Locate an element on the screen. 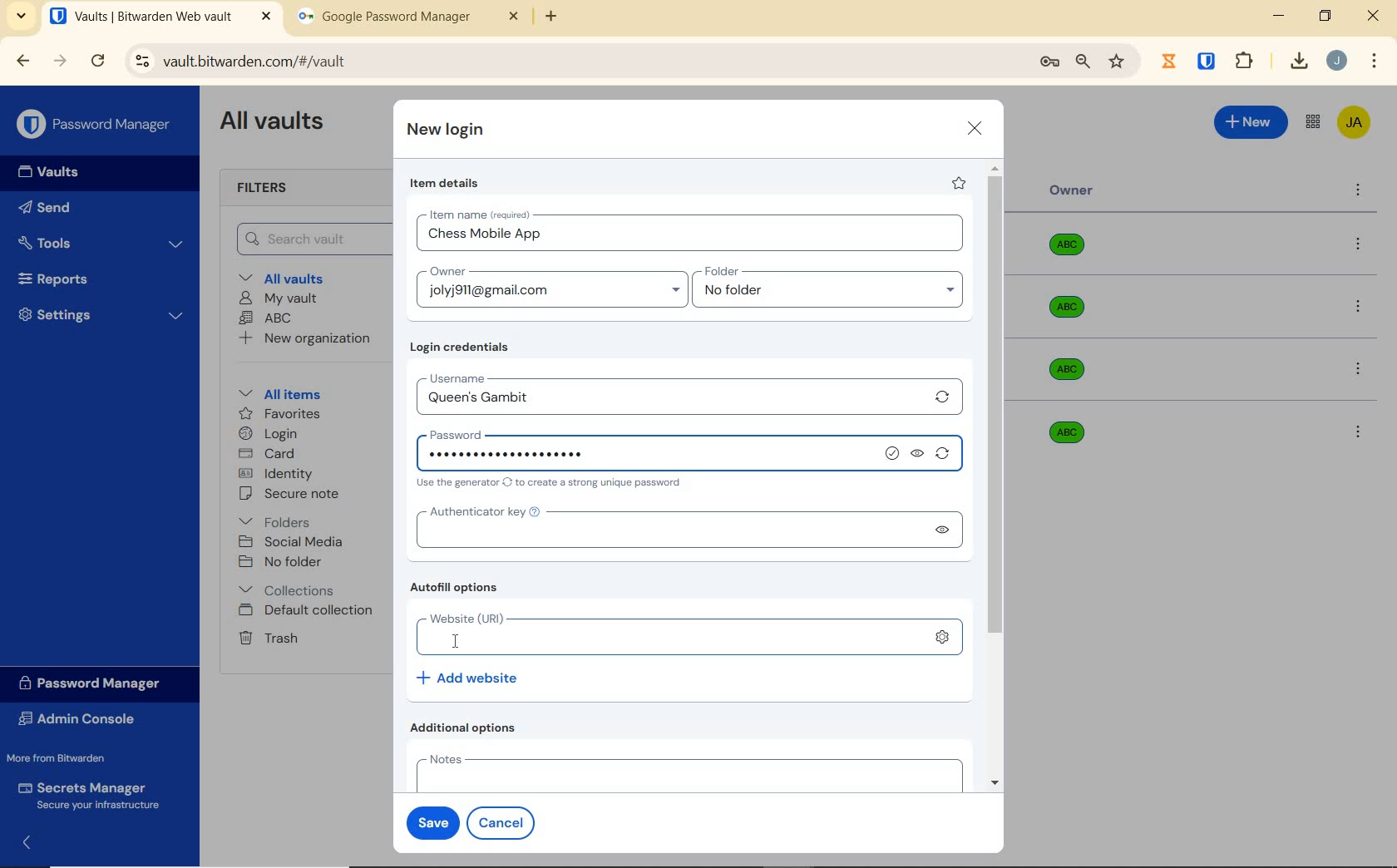  jolyj91@gmail.com is located at coordinates (555, 293).